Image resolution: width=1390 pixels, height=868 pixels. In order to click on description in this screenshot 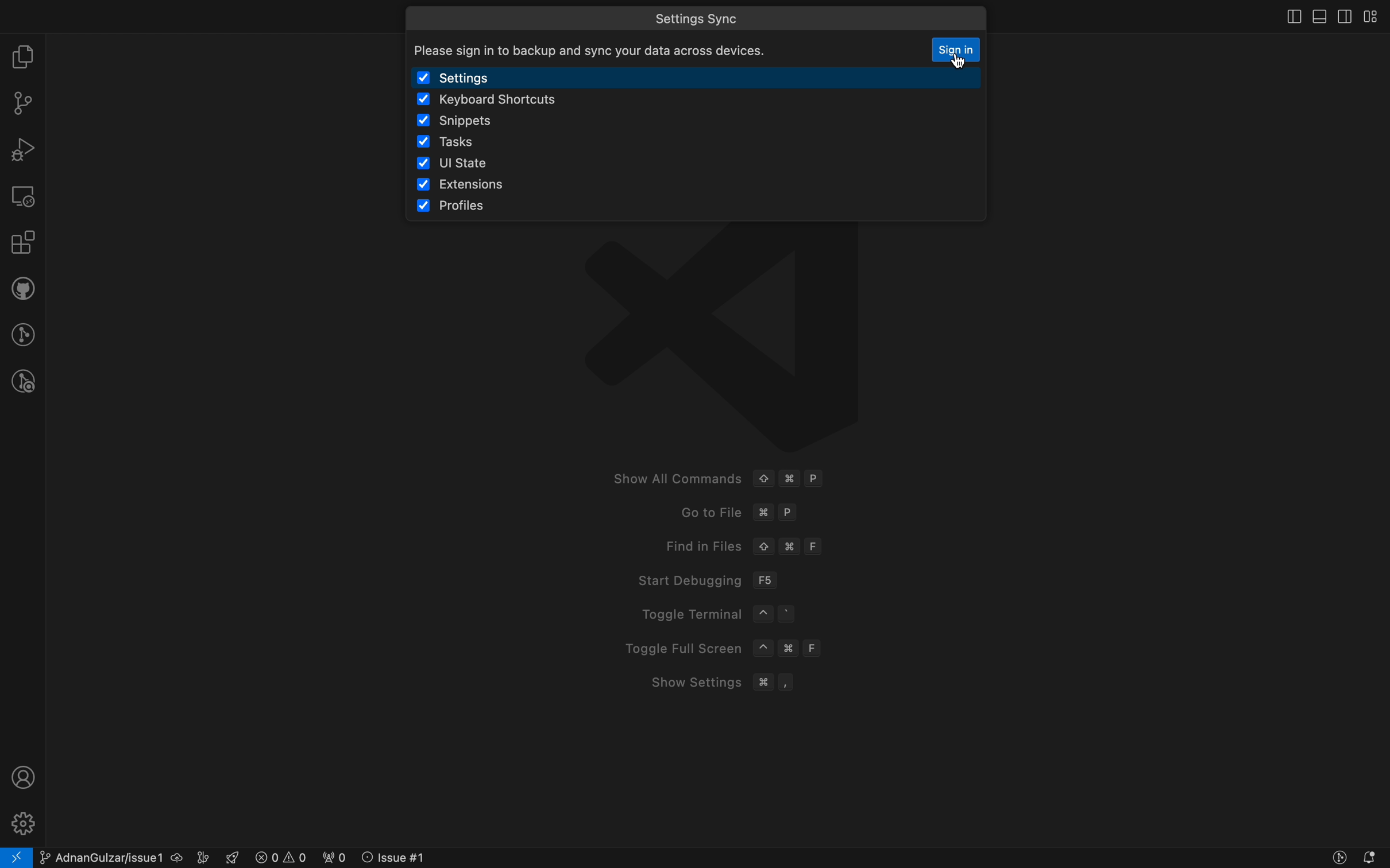, I will do `click(608, 49)`.